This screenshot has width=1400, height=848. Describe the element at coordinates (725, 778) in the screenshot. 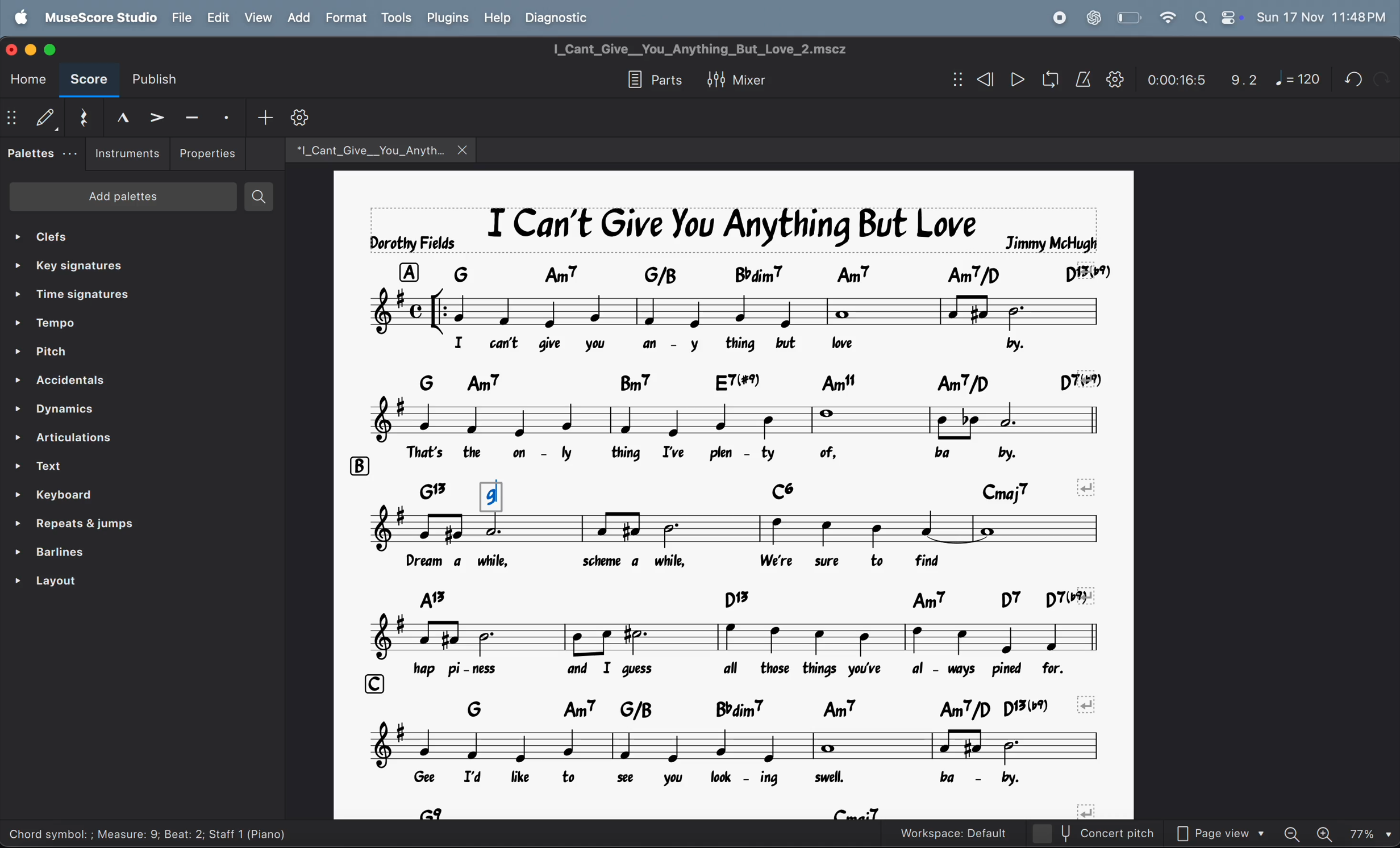

I see `lyrics` at that location.